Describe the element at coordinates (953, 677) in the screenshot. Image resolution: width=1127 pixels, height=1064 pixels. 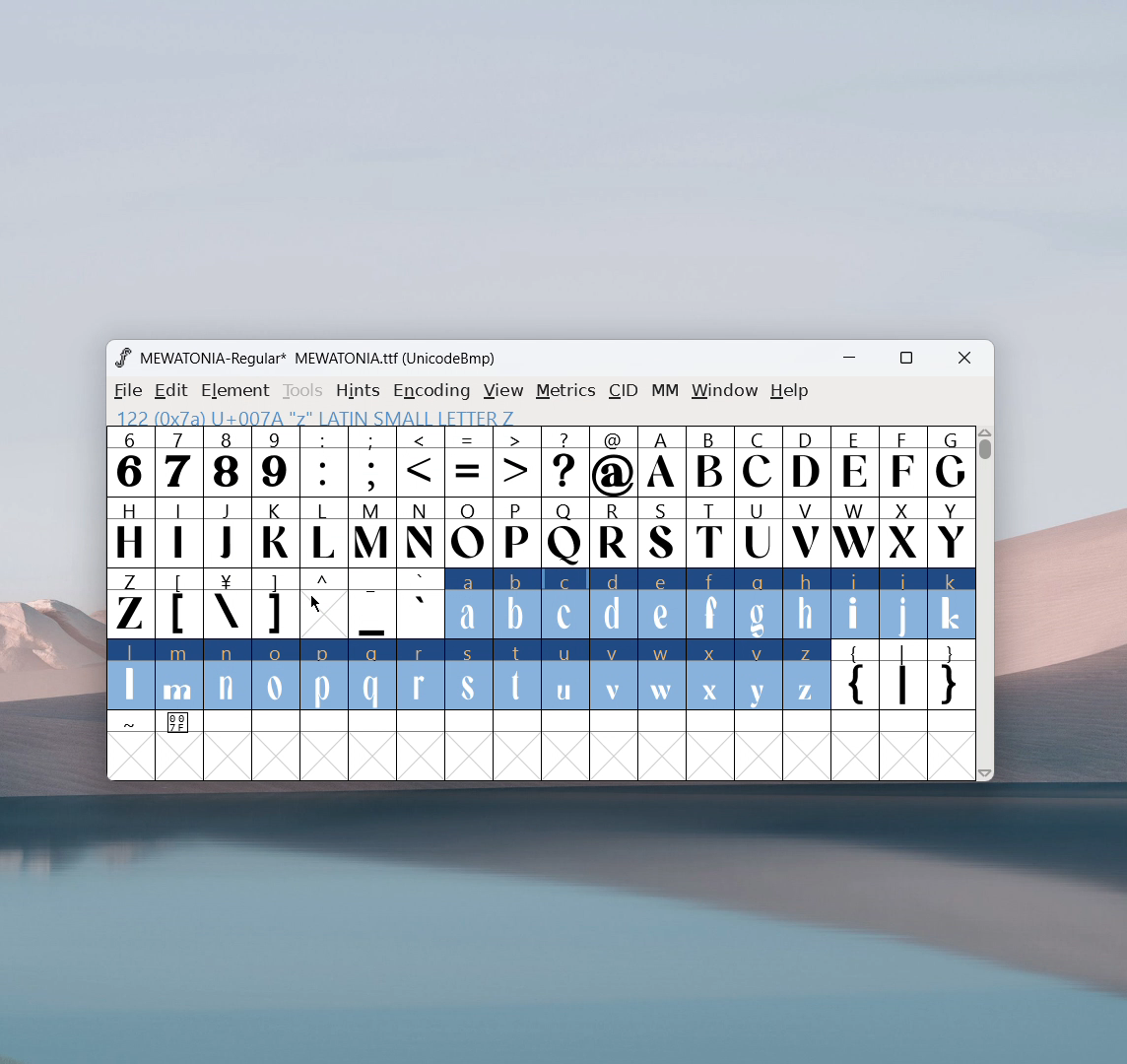
I see `}` at that location.